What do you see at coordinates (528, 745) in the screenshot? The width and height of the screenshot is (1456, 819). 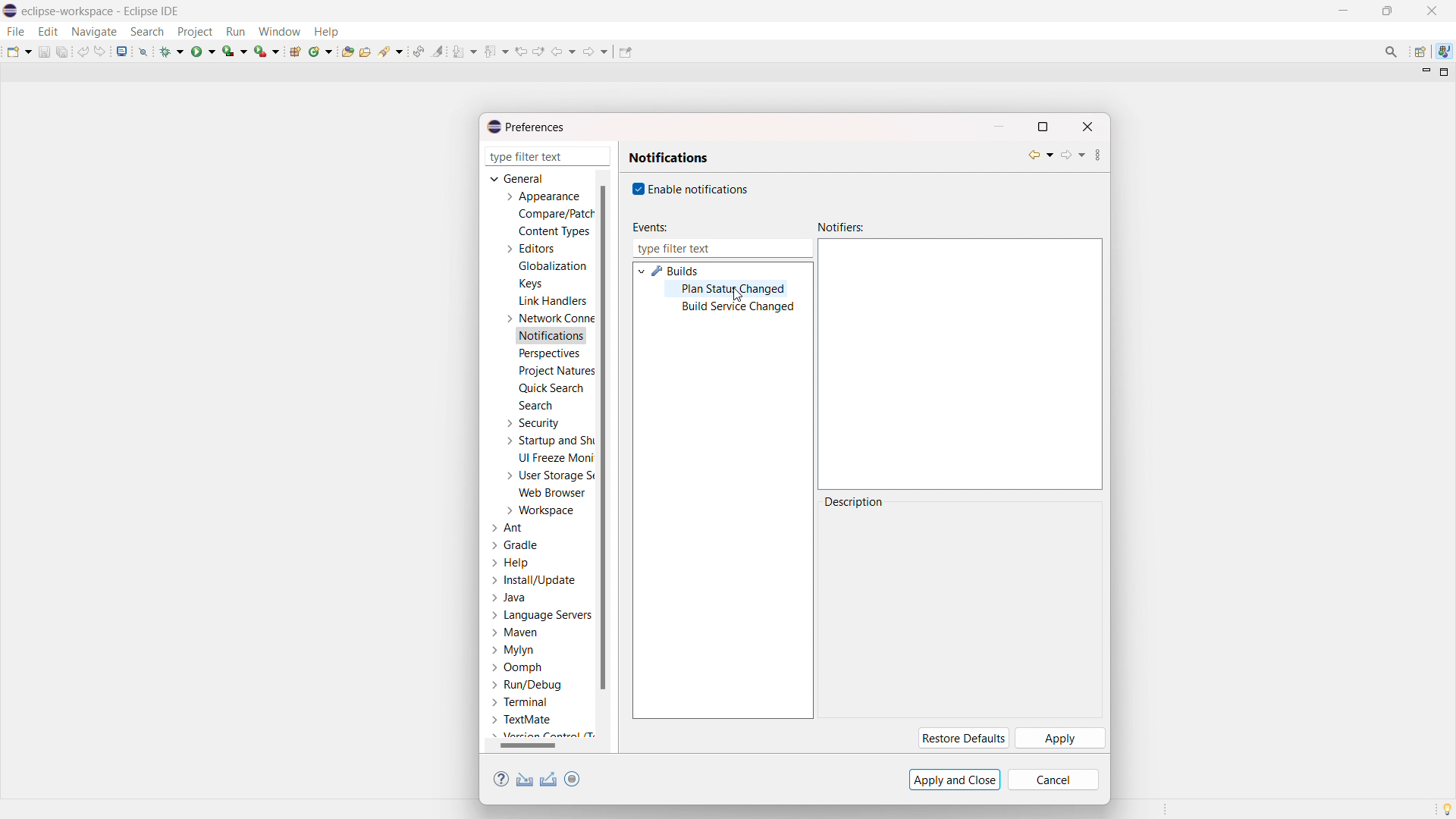 I see `horizontal scrollbar` at bounding box center [528, 745].